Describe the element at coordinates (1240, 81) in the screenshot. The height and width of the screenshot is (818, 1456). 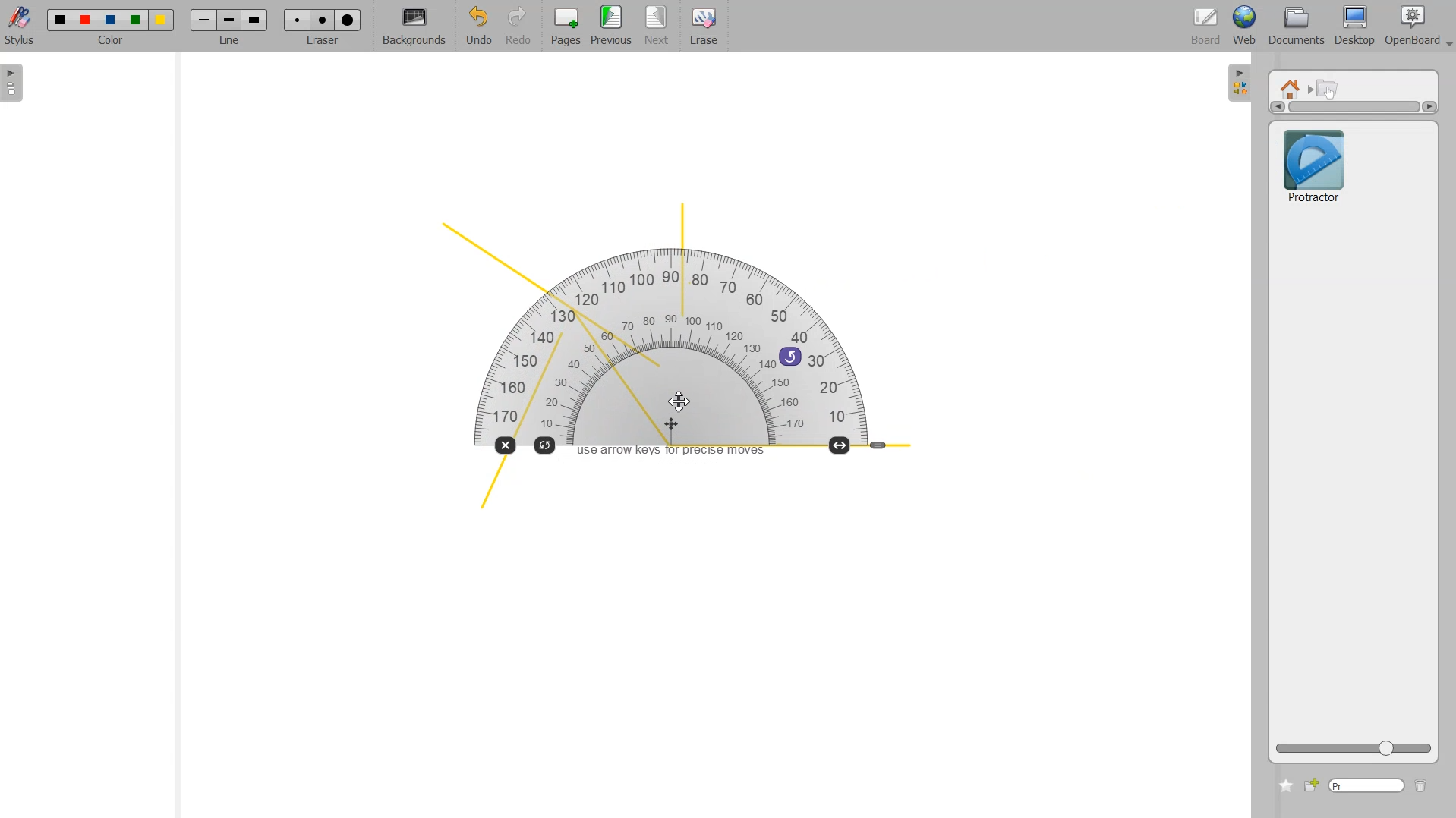
I see `Sidebar` at that location.